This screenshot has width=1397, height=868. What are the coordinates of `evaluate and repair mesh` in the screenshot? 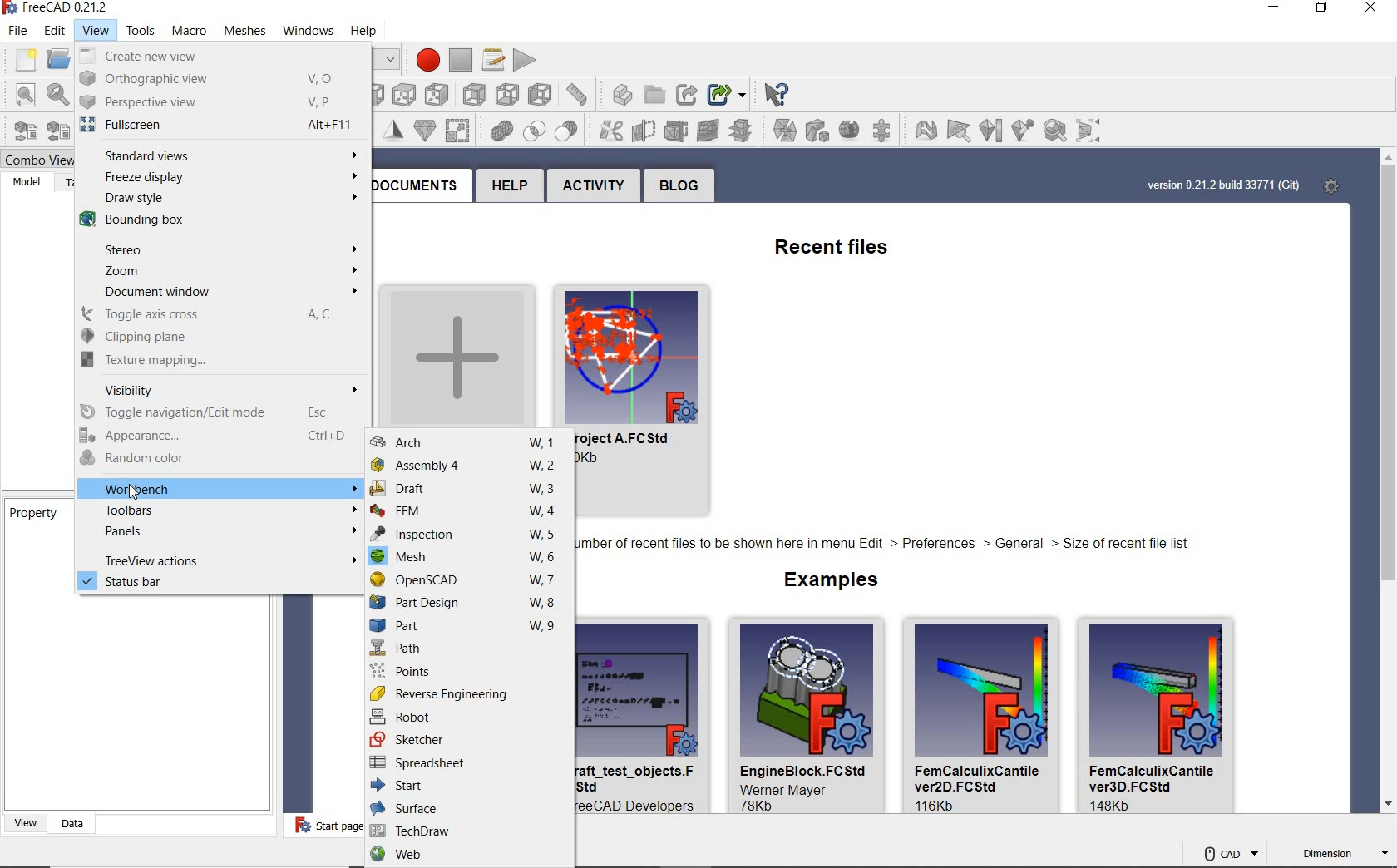 It's located at (884, 130).